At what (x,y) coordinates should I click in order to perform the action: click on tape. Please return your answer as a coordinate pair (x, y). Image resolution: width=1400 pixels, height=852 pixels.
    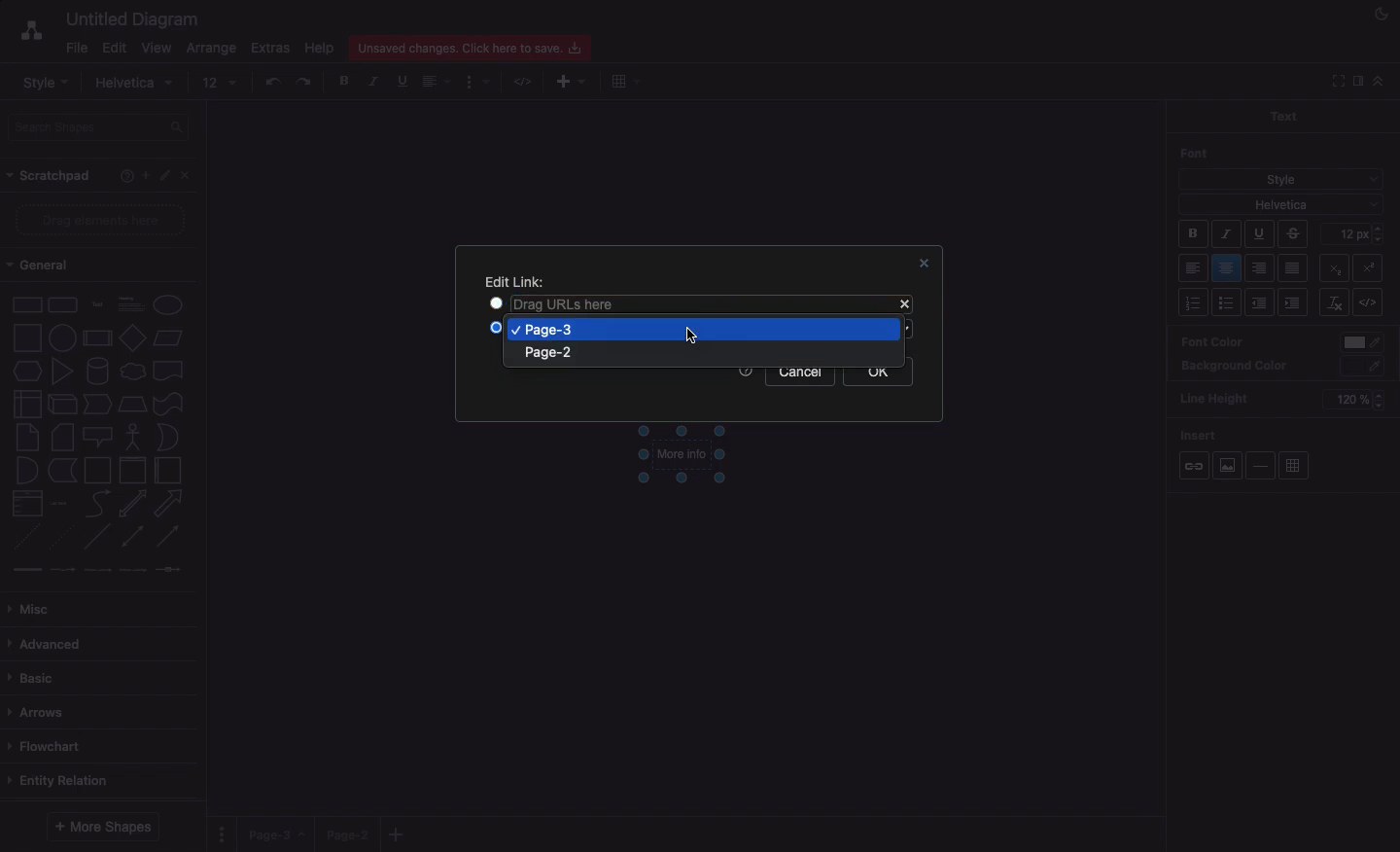
    Looking at the image, I should click on (168, 404).